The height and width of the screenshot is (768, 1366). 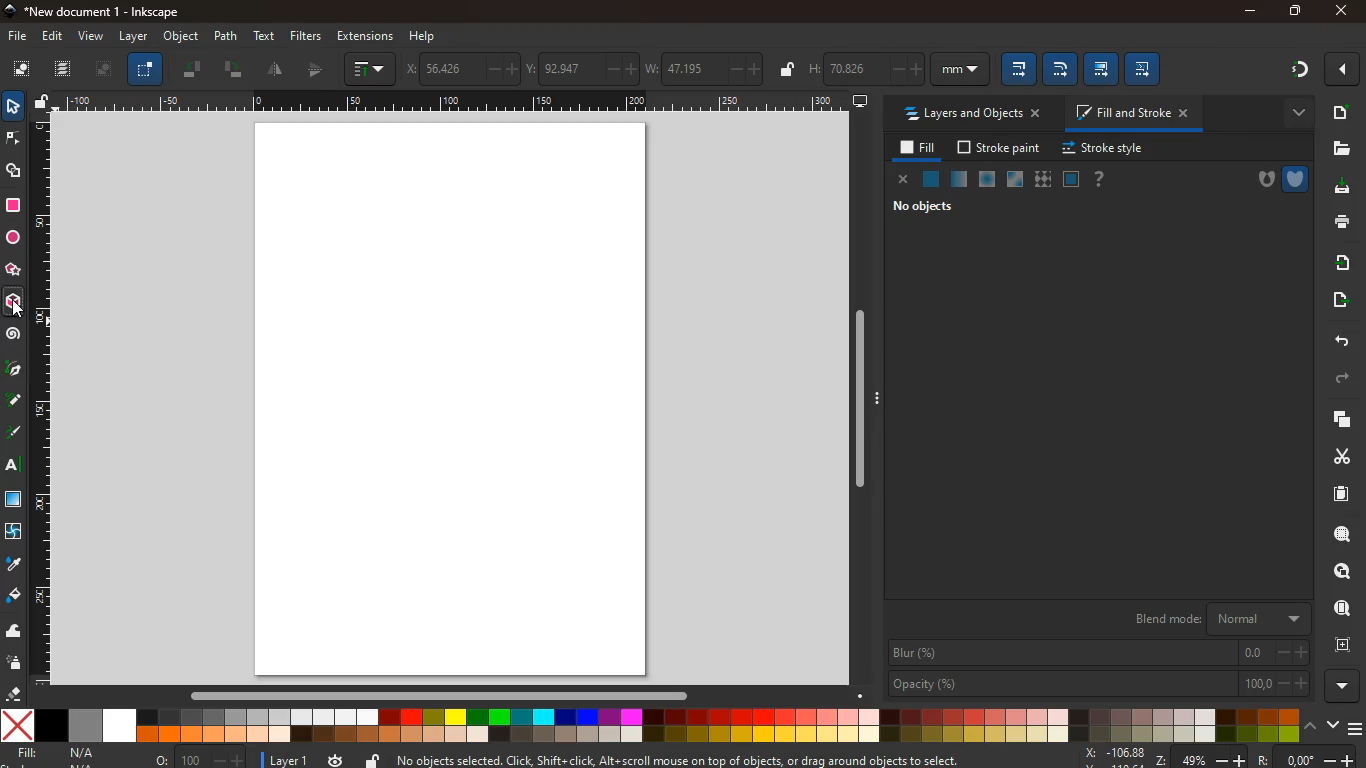 I want to click on Down, so click(x=861, y=696).